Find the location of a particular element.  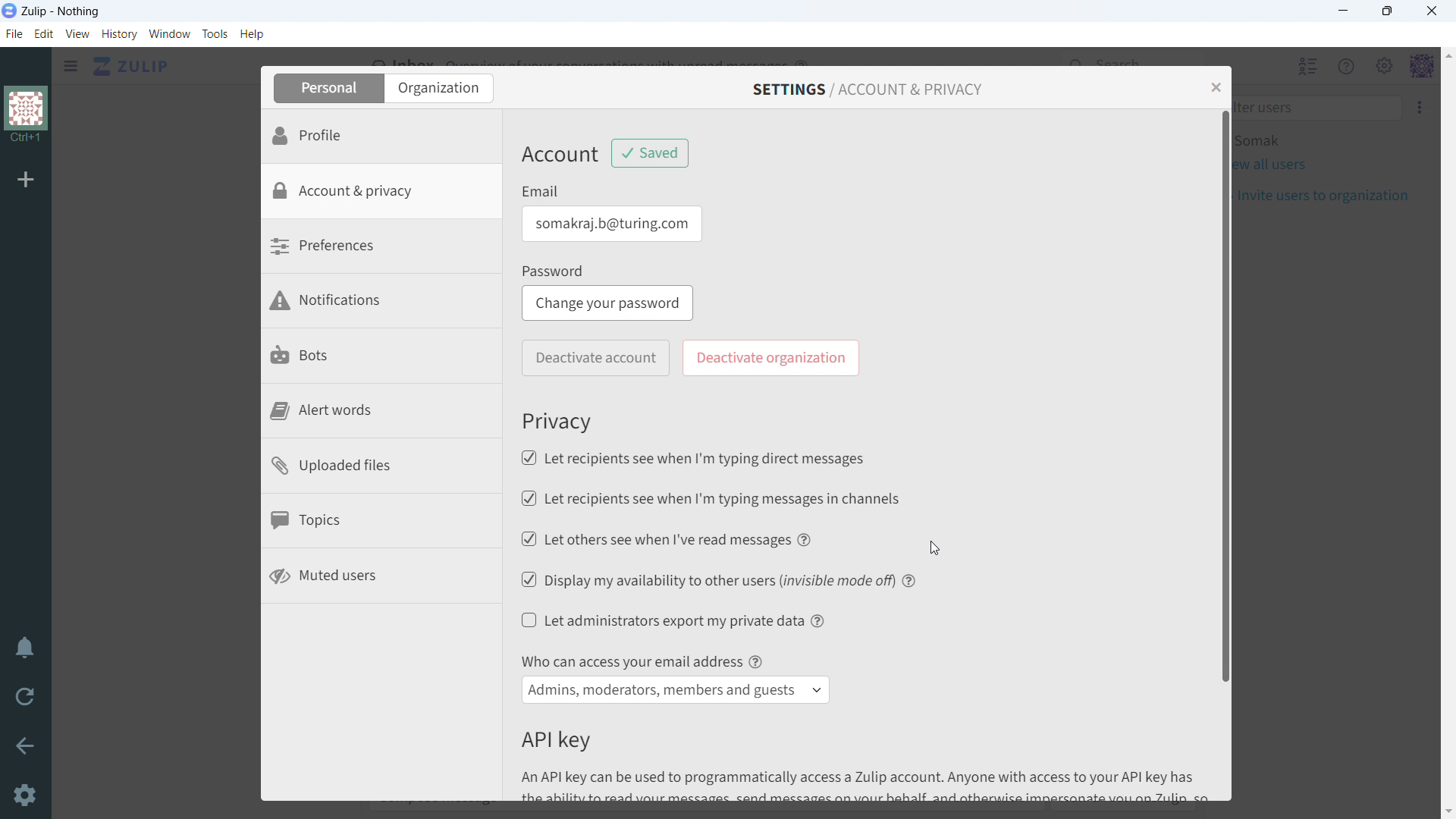

deactivate organization is located at coordinates (772, 357).